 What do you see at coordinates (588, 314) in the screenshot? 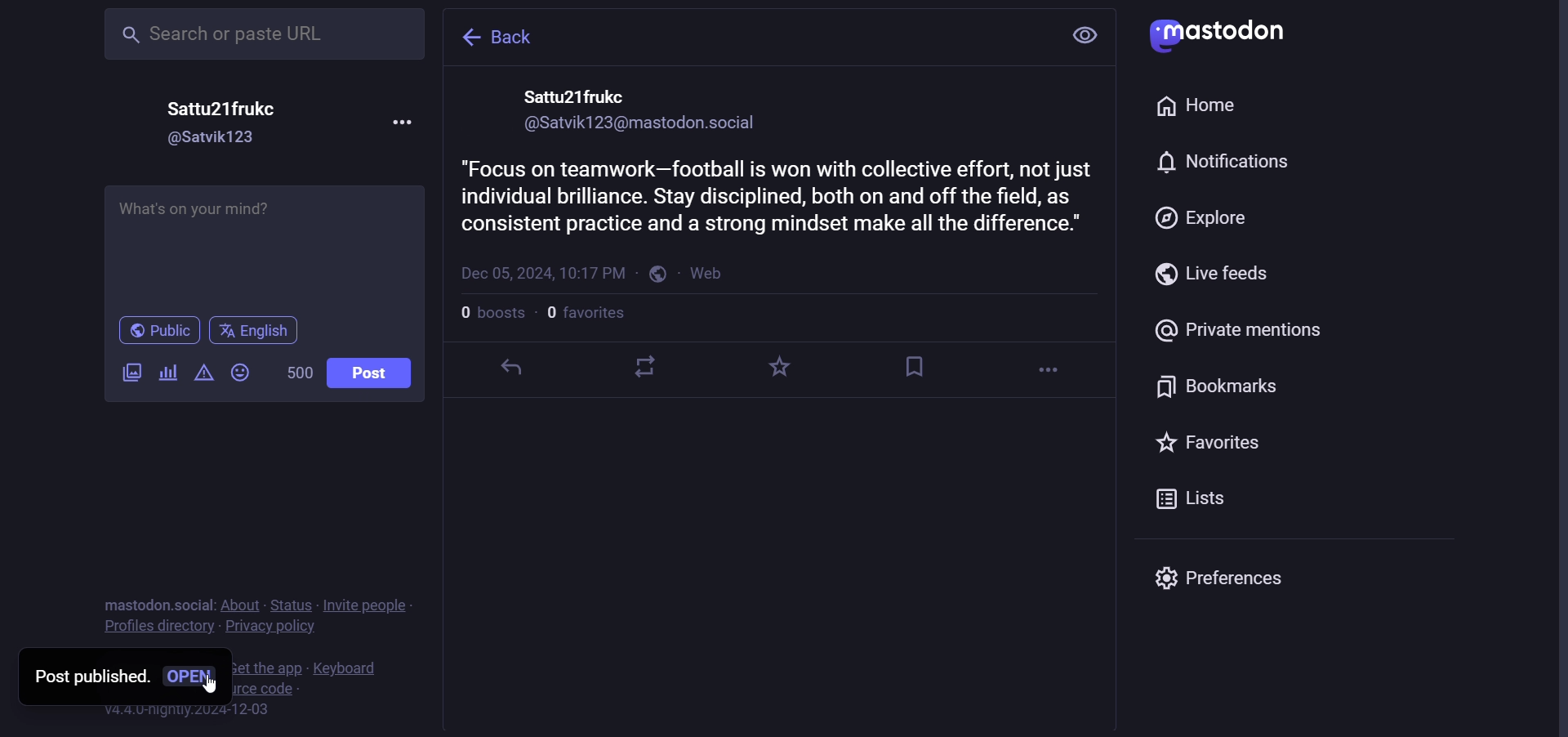
I see `number of followers` at bounding box center [588, 314].